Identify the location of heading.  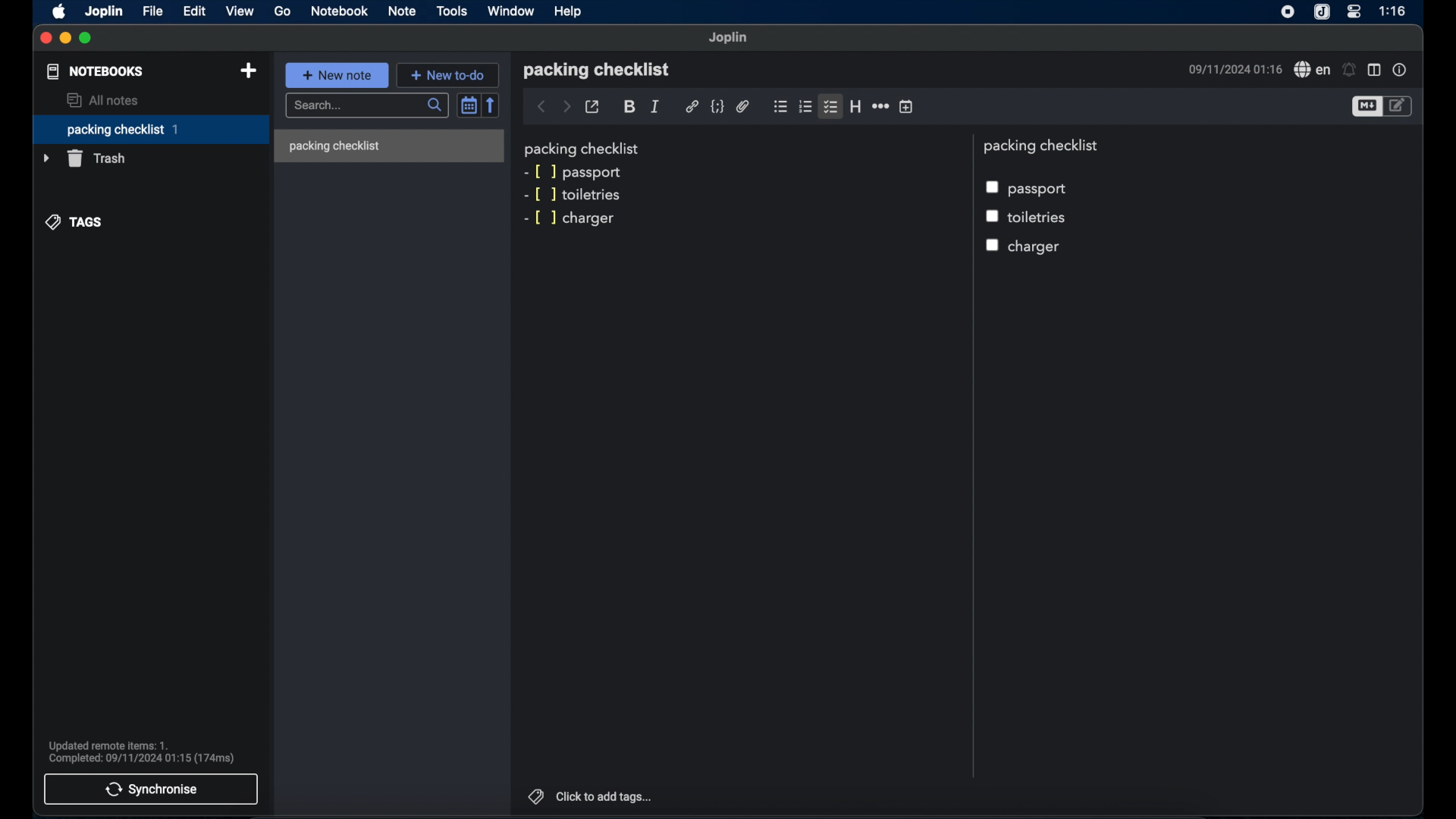
(855, 106).